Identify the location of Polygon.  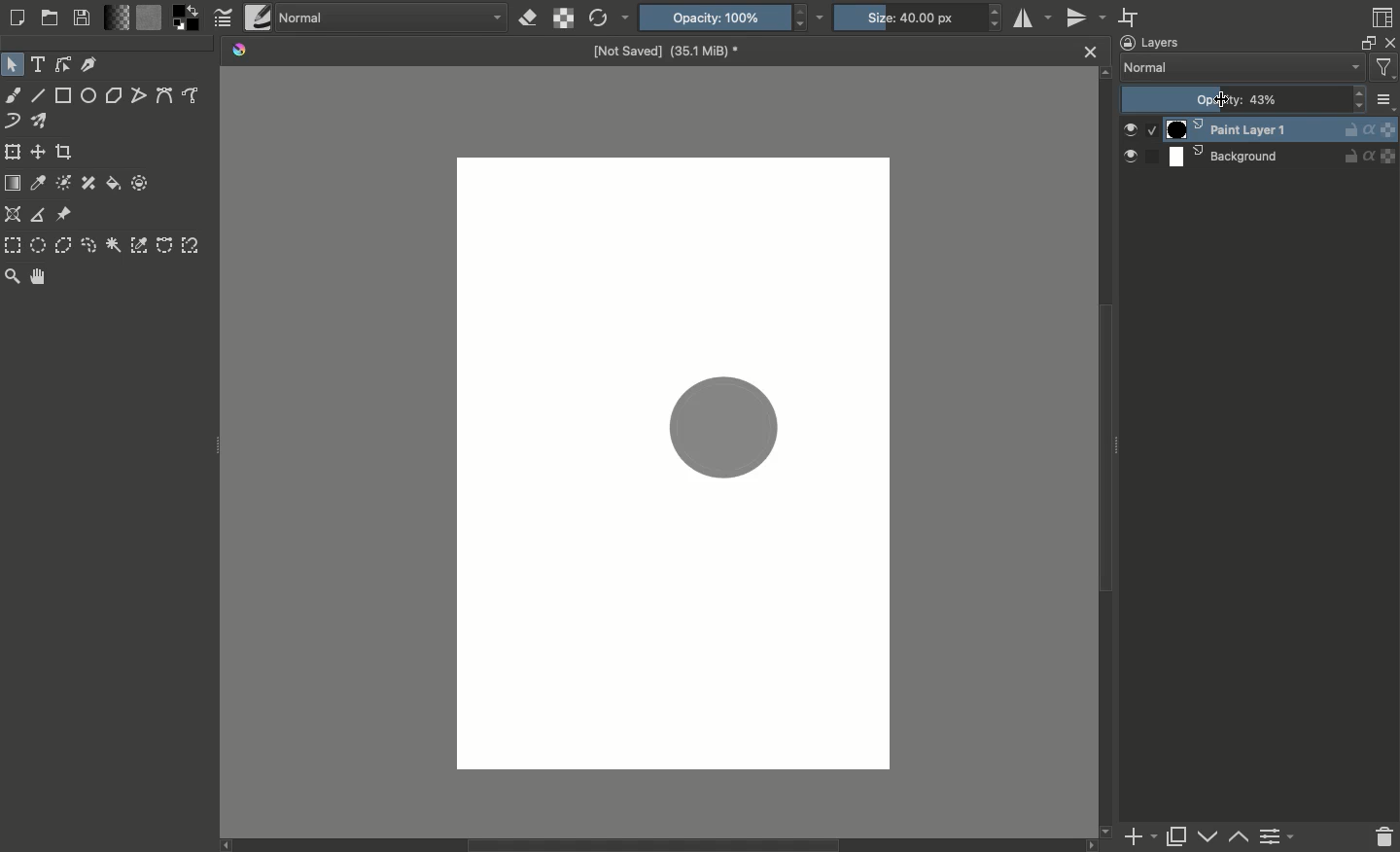
(115, 95).